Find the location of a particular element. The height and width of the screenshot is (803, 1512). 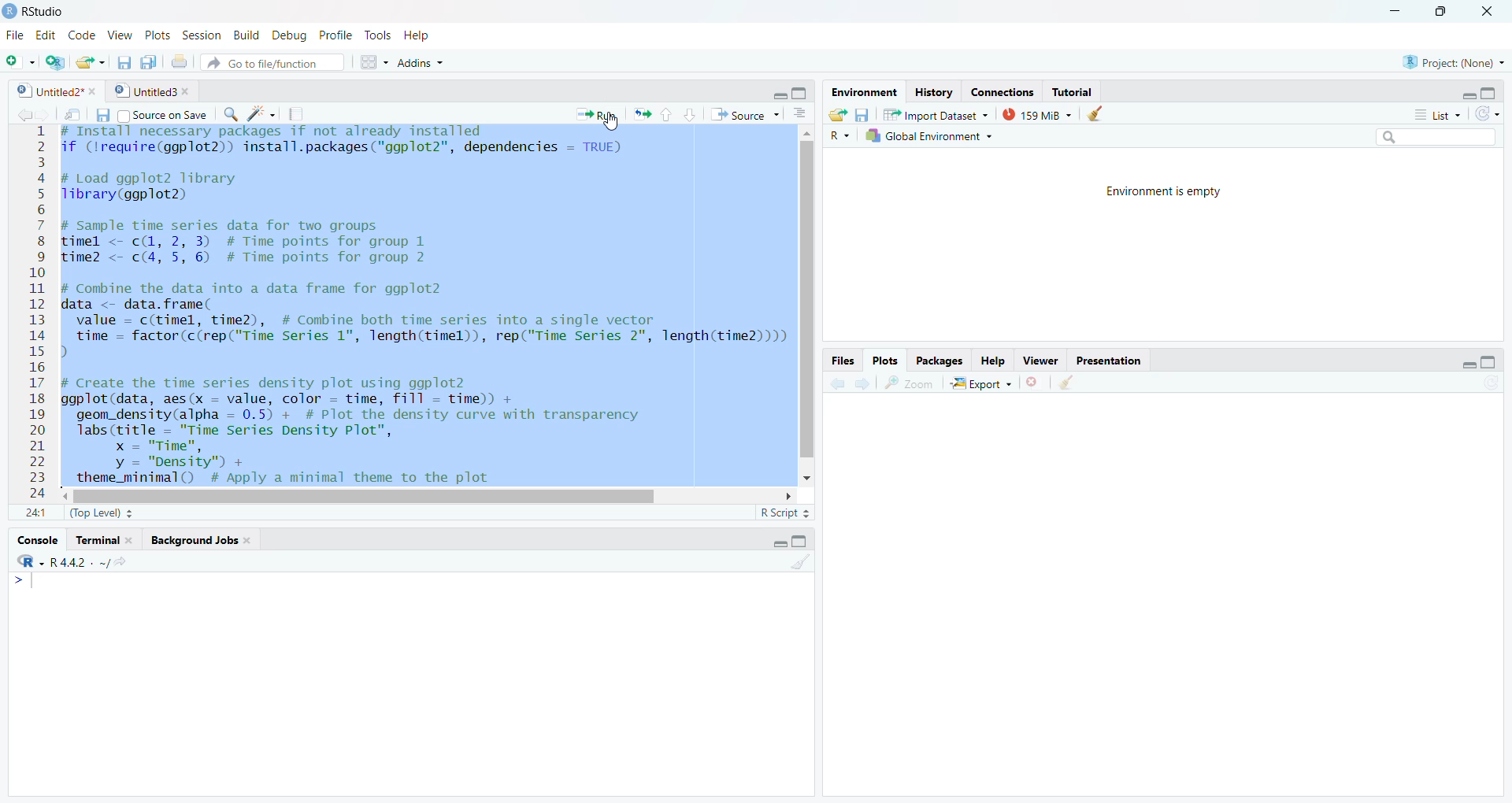

File is located at coordinates (15, 35).